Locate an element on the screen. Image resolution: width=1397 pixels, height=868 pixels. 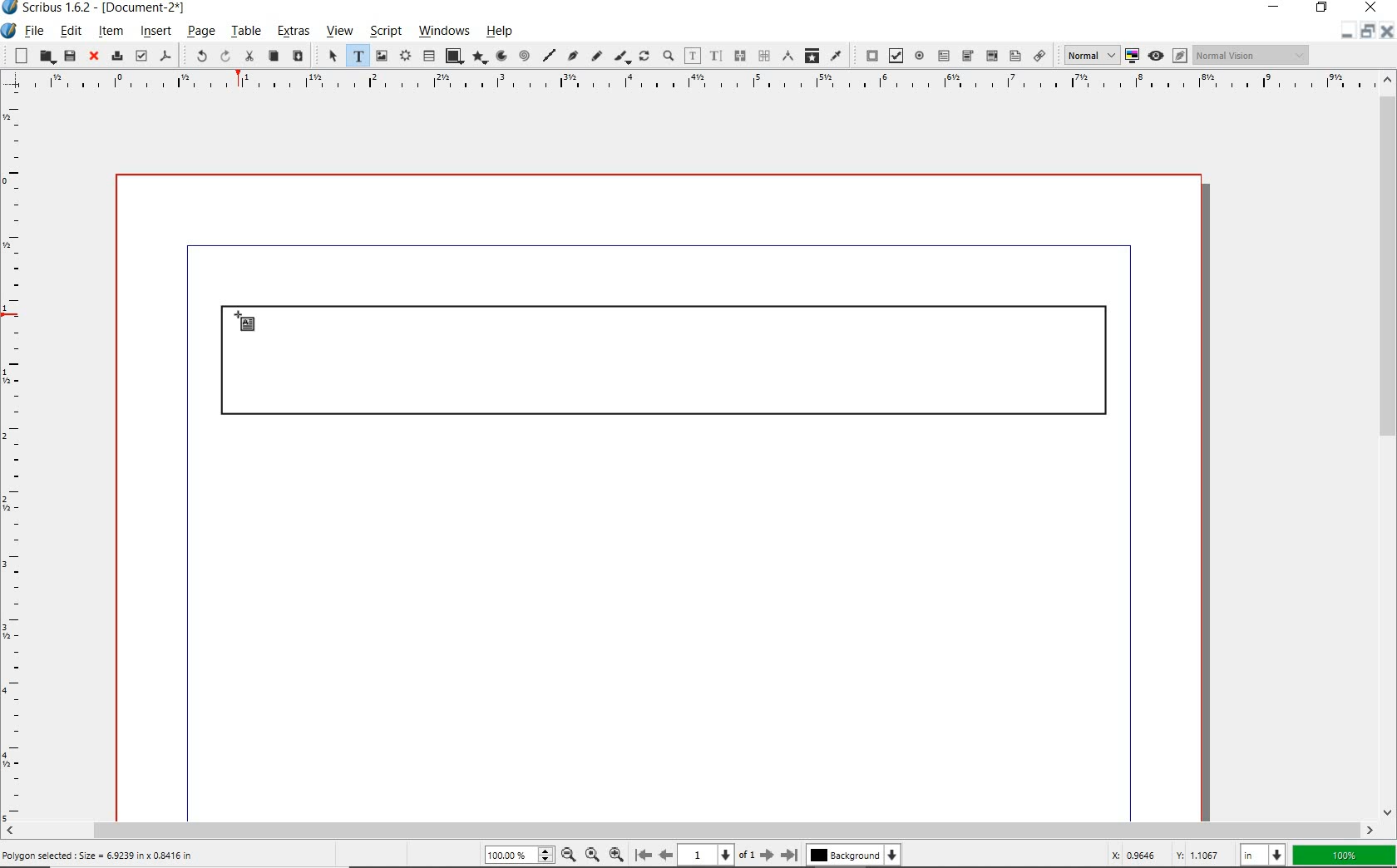
insert is located at coordinates (155, 32).